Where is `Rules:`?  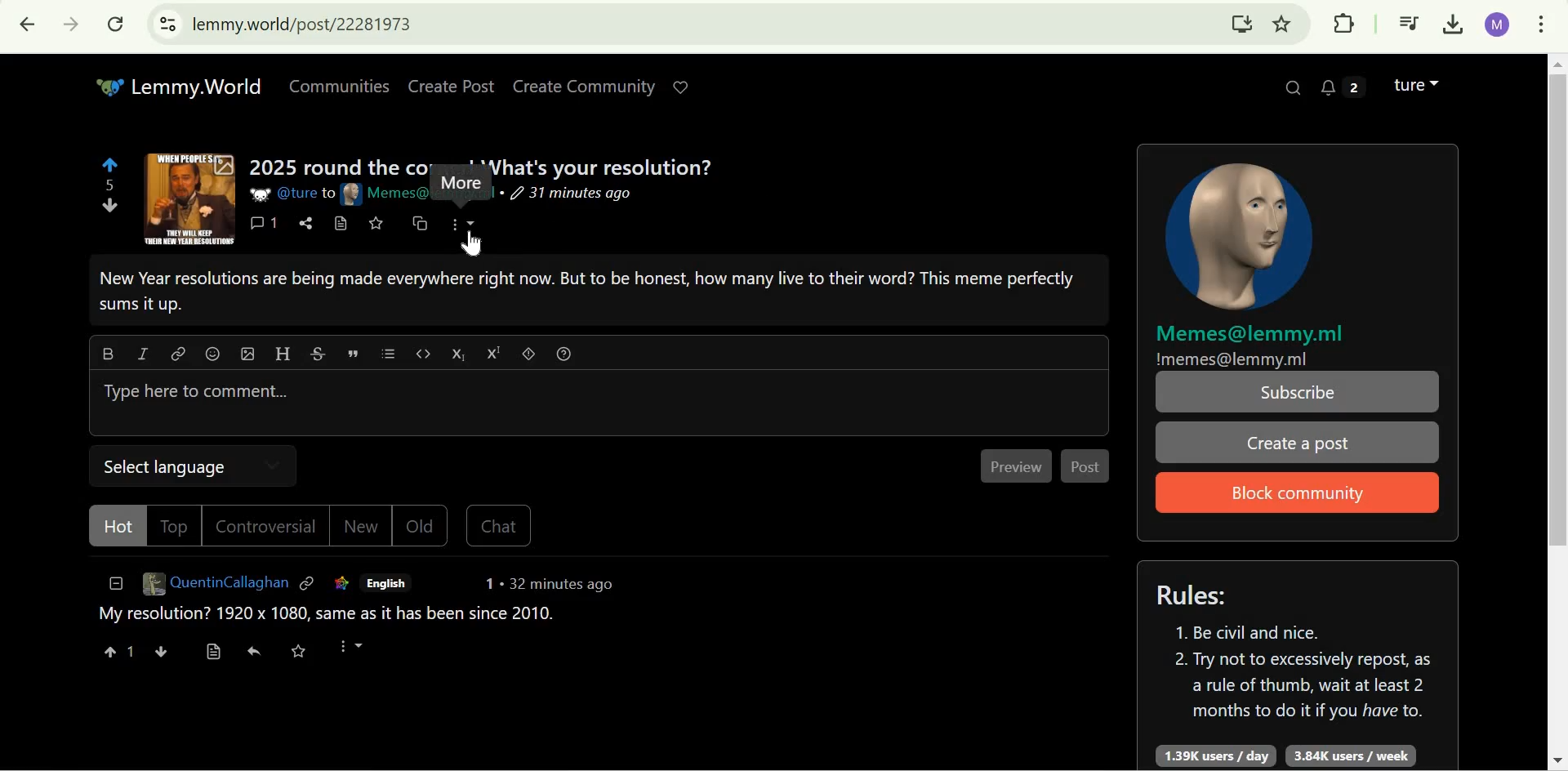
Rules: is located at coordinates (1199, 595).